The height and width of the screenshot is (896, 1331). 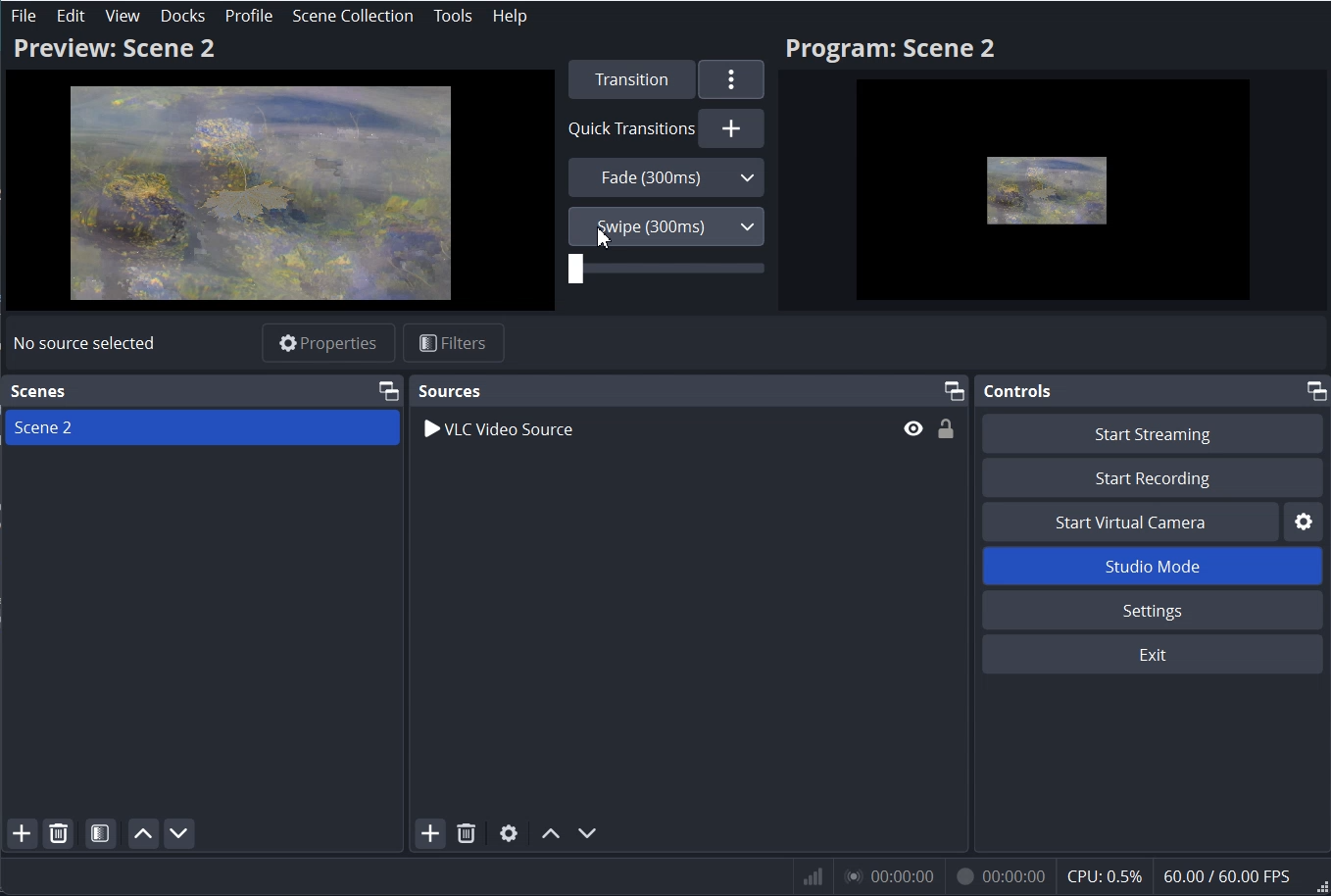 What do you see at coordinates (142, 833) in the screenshot?
I see `Move scene up` at bounding box center [142, 833].